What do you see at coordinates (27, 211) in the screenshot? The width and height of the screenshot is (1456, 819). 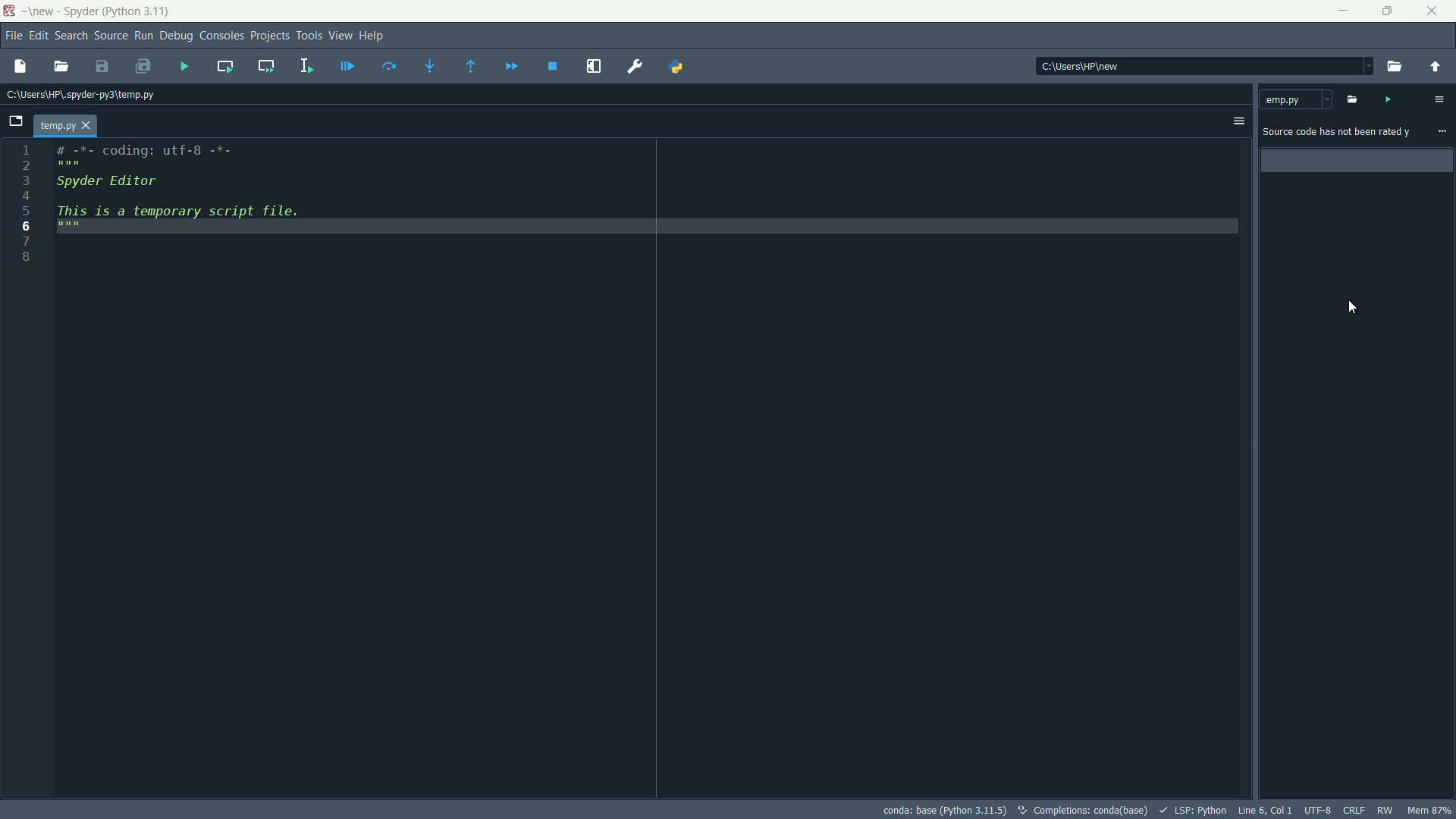 I see `5` at bounding box center [27, 211].